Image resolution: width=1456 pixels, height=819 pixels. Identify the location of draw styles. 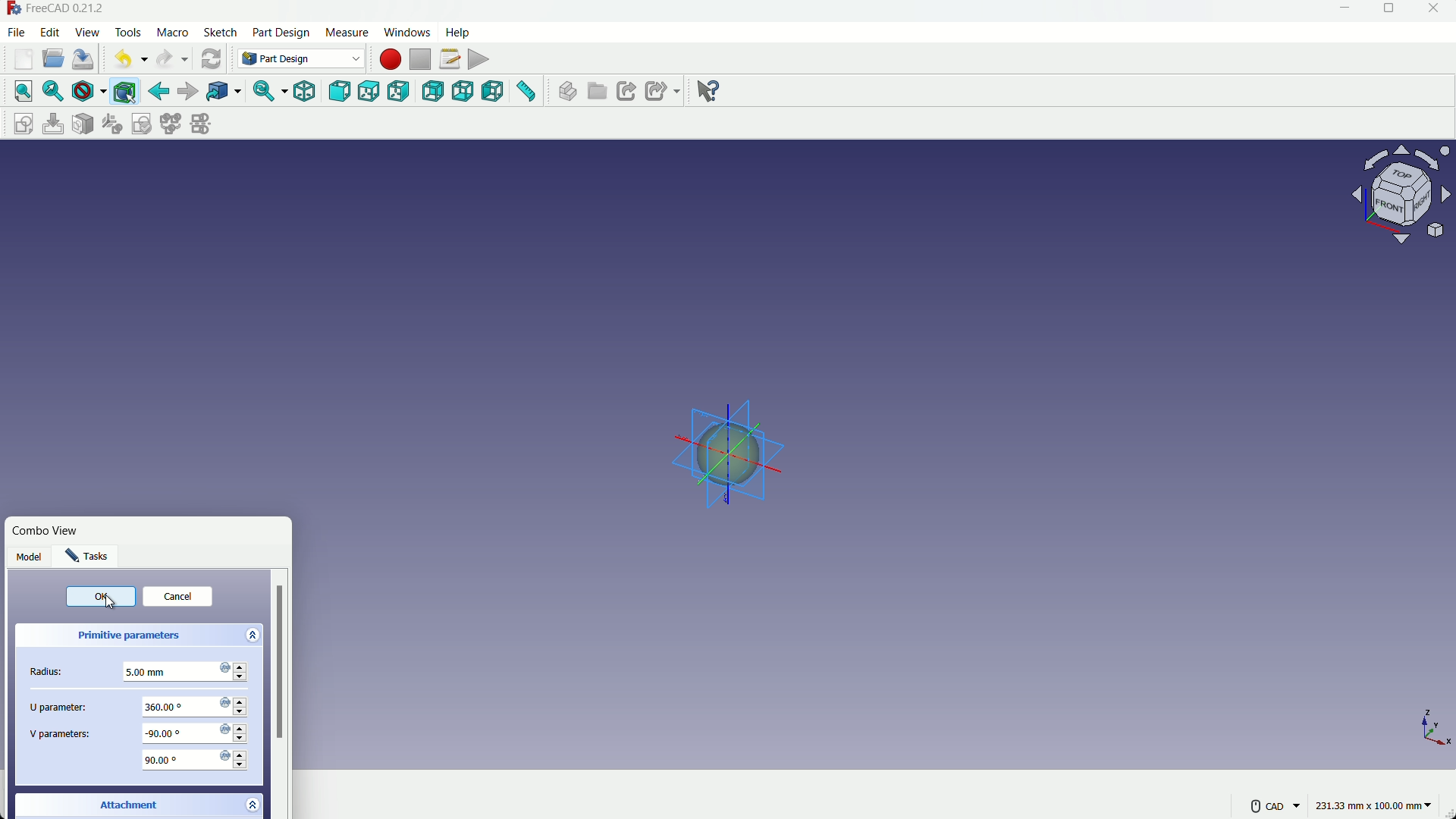
(88, 92).